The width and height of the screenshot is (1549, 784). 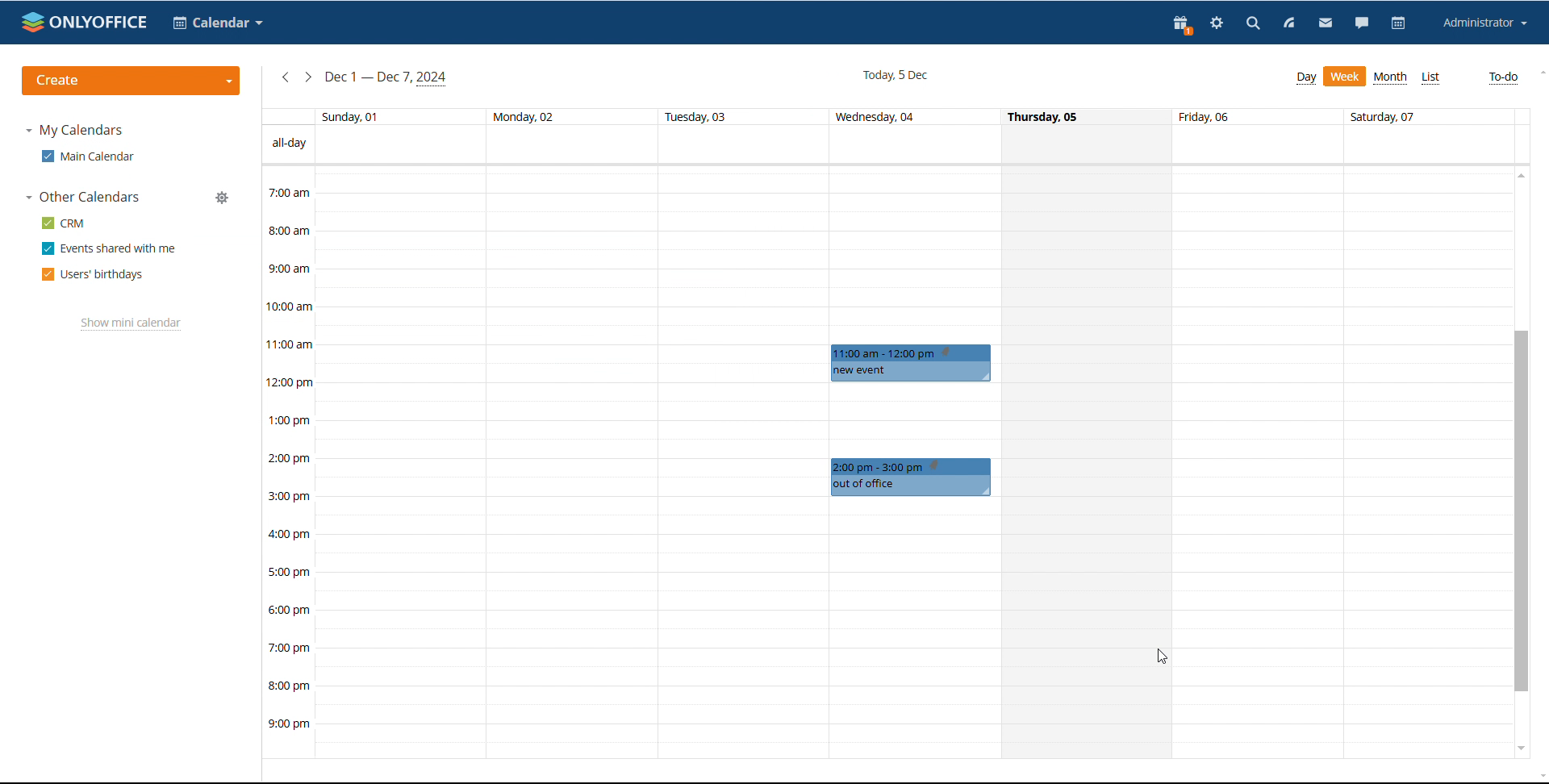 I want to click on select application, so click(x=217, y=23).